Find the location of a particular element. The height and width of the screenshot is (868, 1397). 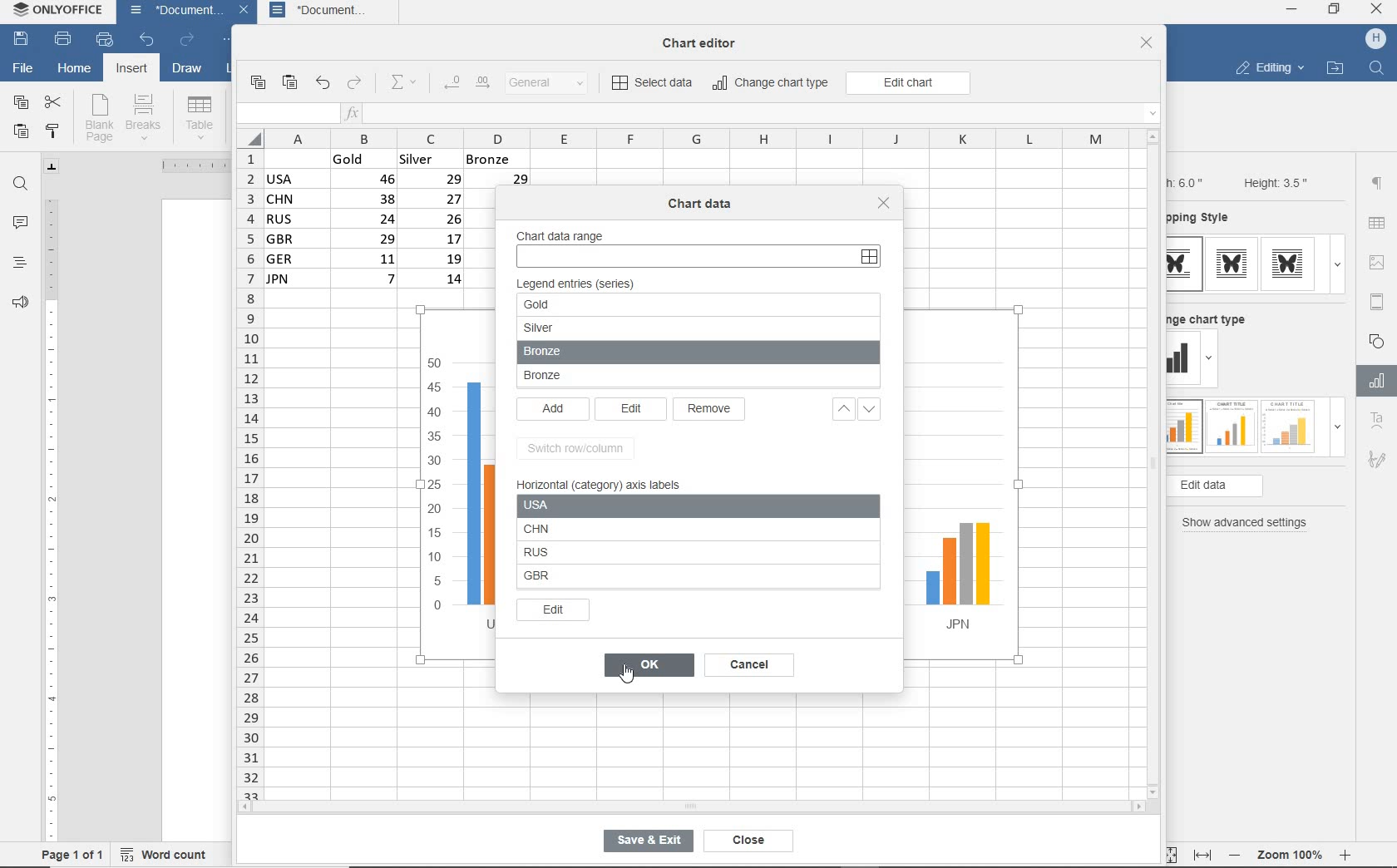

hp is located at coordinates (1376, 39).